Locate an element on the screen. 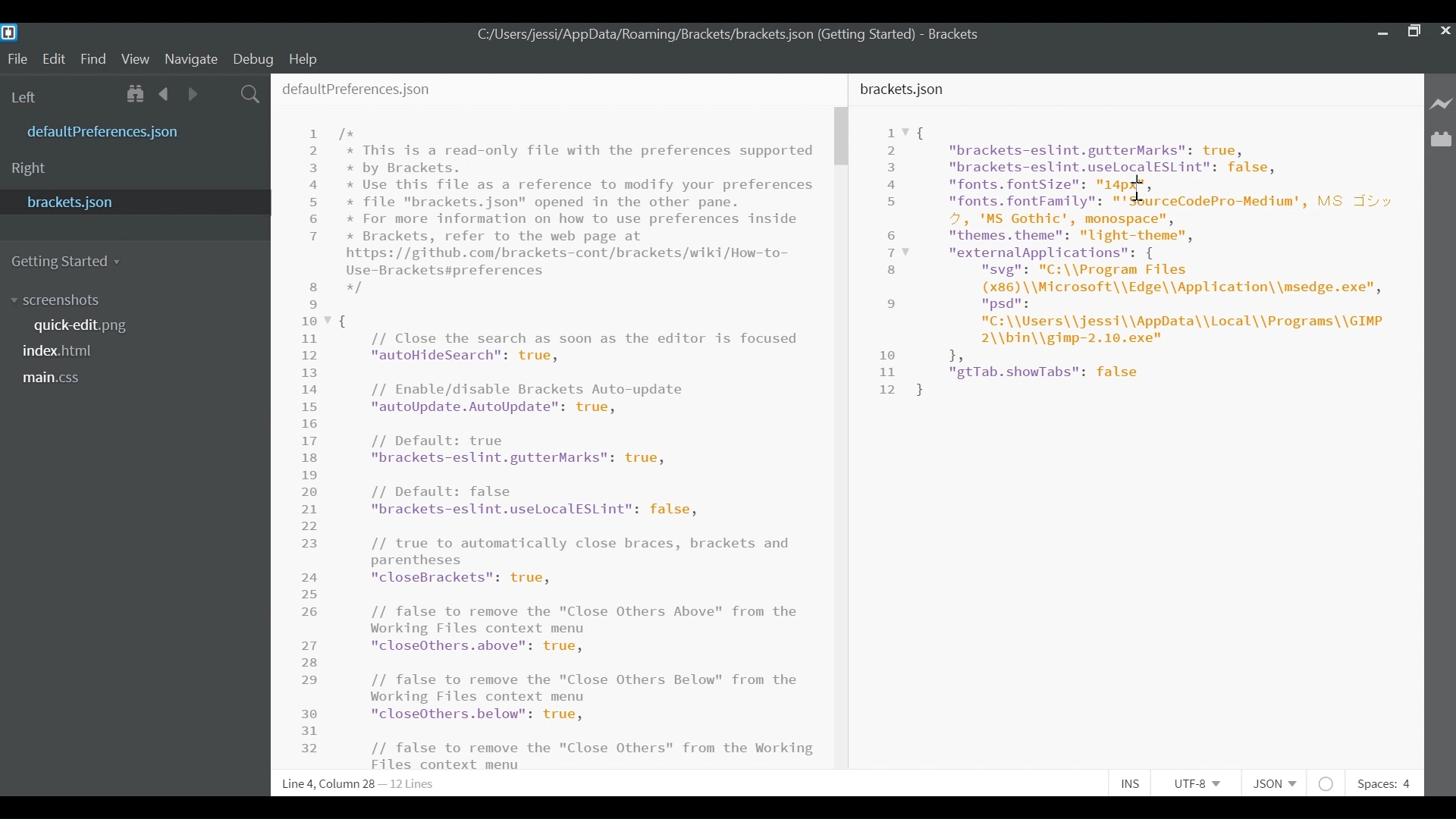  Line 6, Column 18 - 12 Lines is located at coordinates (361, 784).